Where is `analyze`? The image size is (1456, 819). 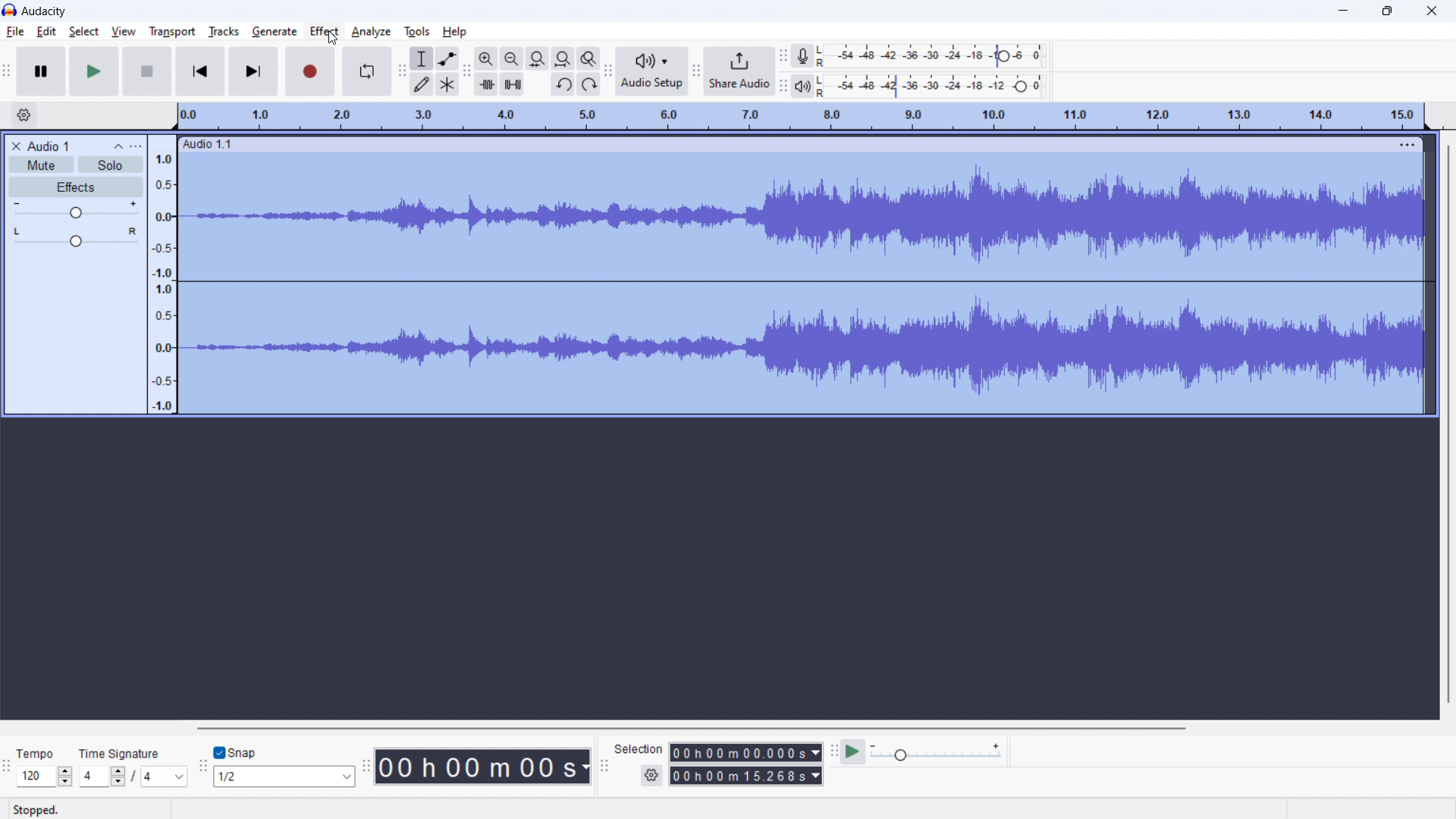 analyze is located at coordinates (370, 33).